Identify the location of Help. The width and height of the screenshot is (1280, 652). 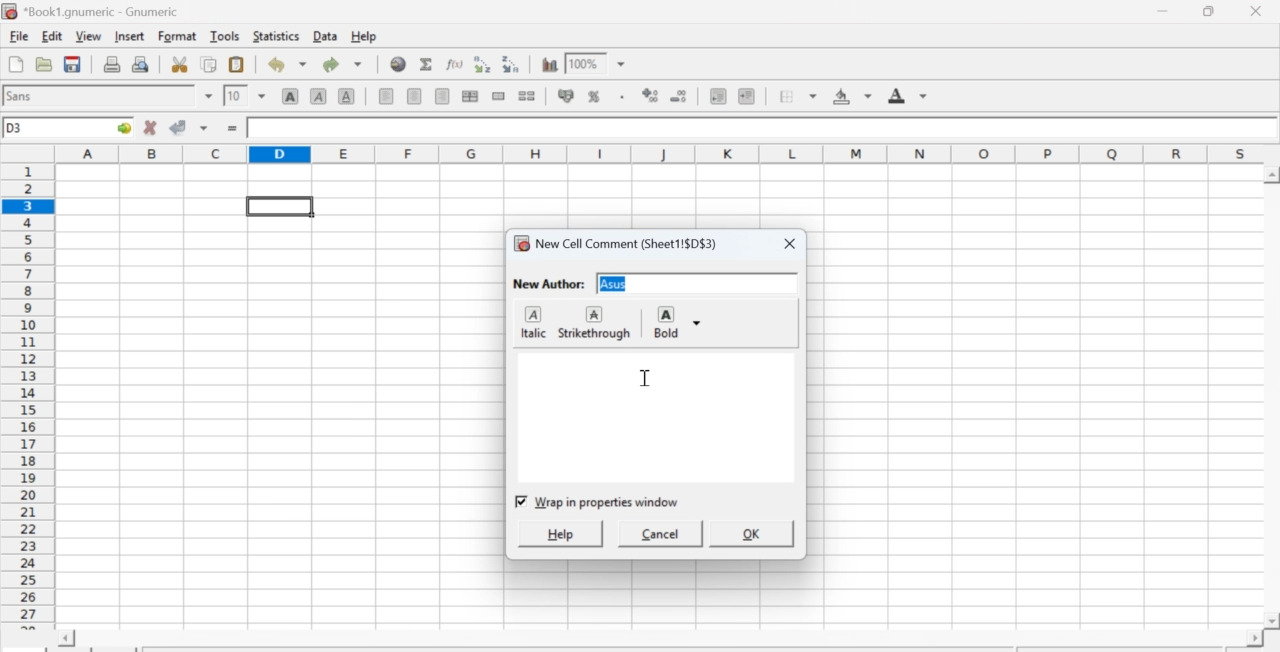
(363, 36).